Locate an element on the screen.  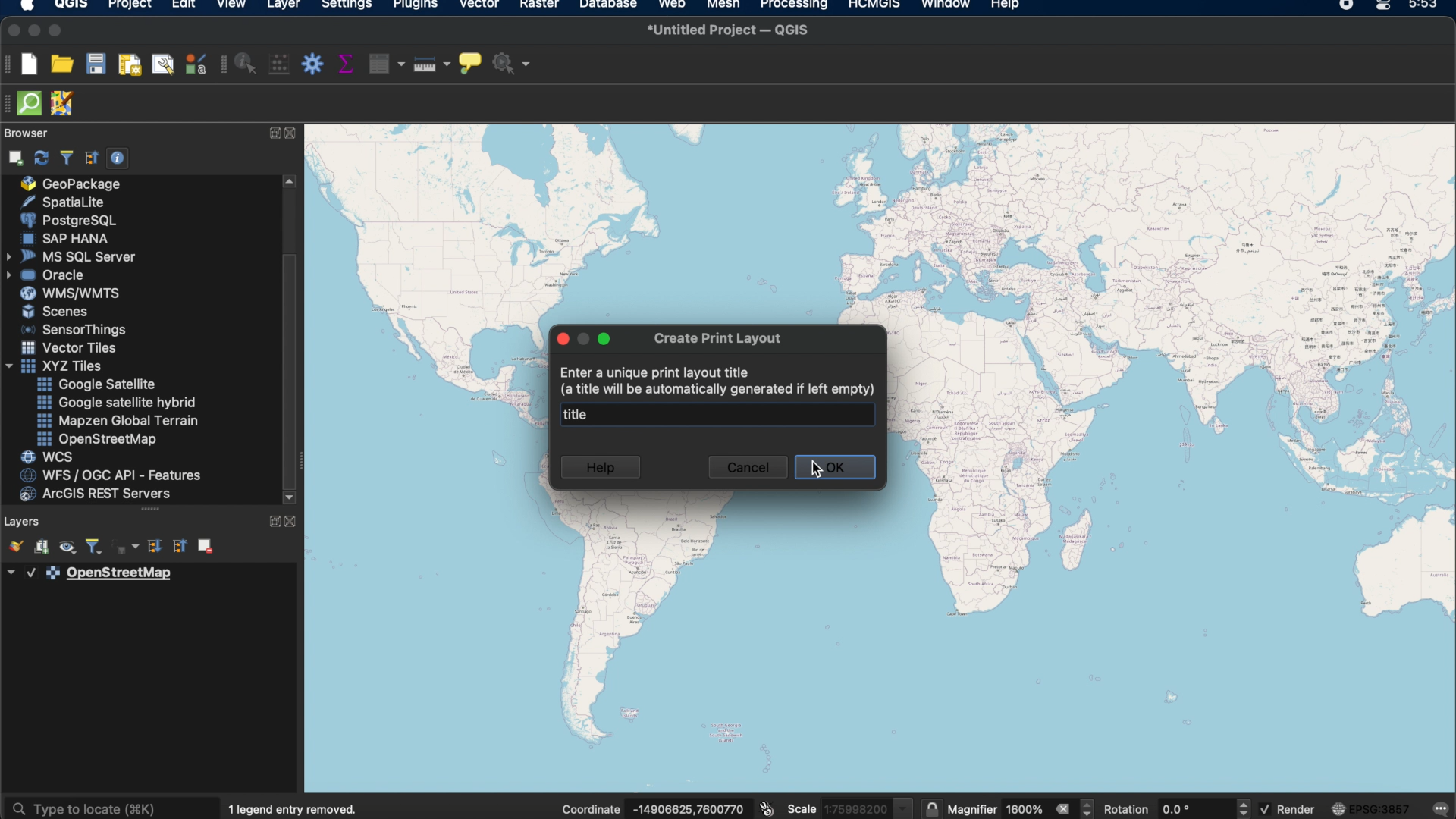
sap hana is located at coordinates (75, 238).